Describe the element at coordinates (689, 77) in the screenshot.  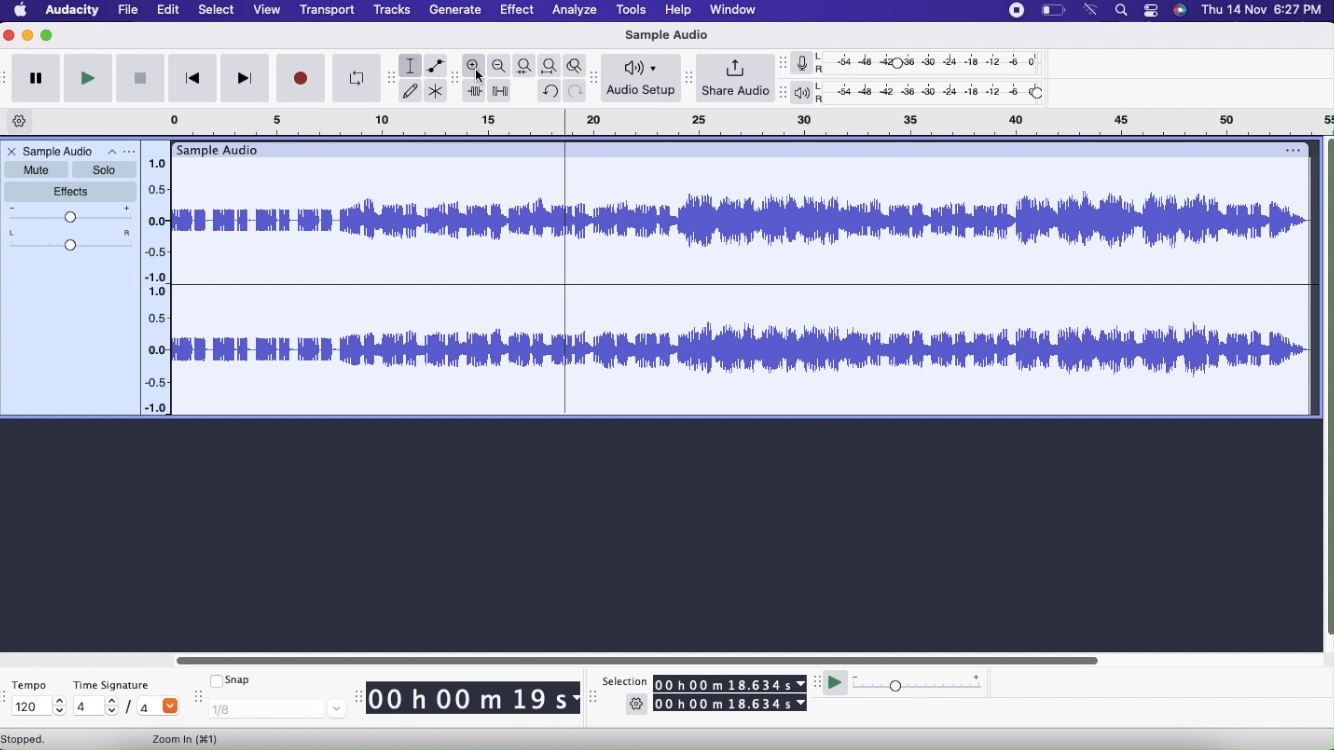
I see `resize` at that location.